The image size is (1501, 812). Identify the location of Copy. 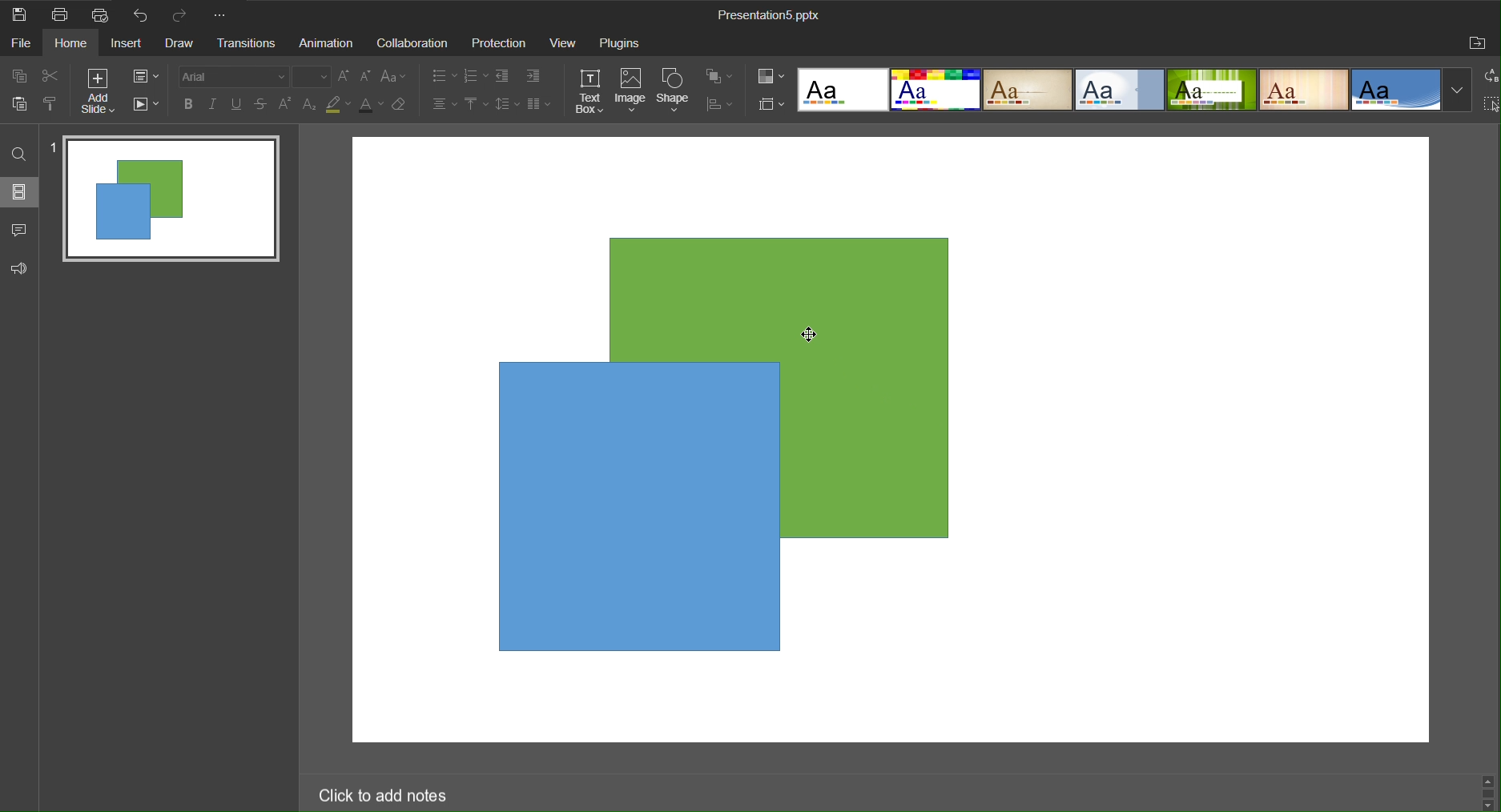
(17, 74).